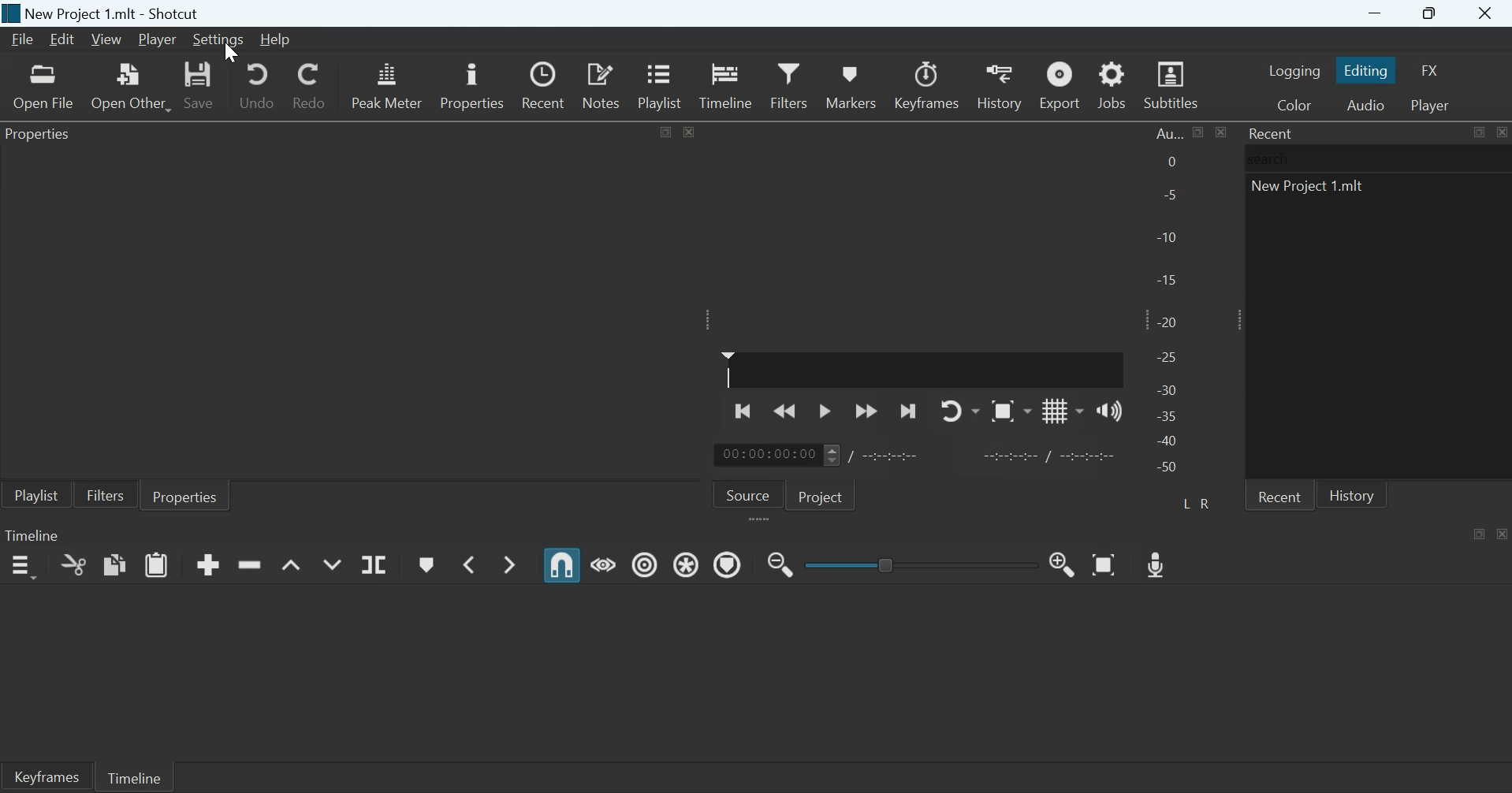 The height and width of the screenshot is (793, 1512). Describe the element at coordinates (1501, 132) in the screenshot. I see `Close` at that location.